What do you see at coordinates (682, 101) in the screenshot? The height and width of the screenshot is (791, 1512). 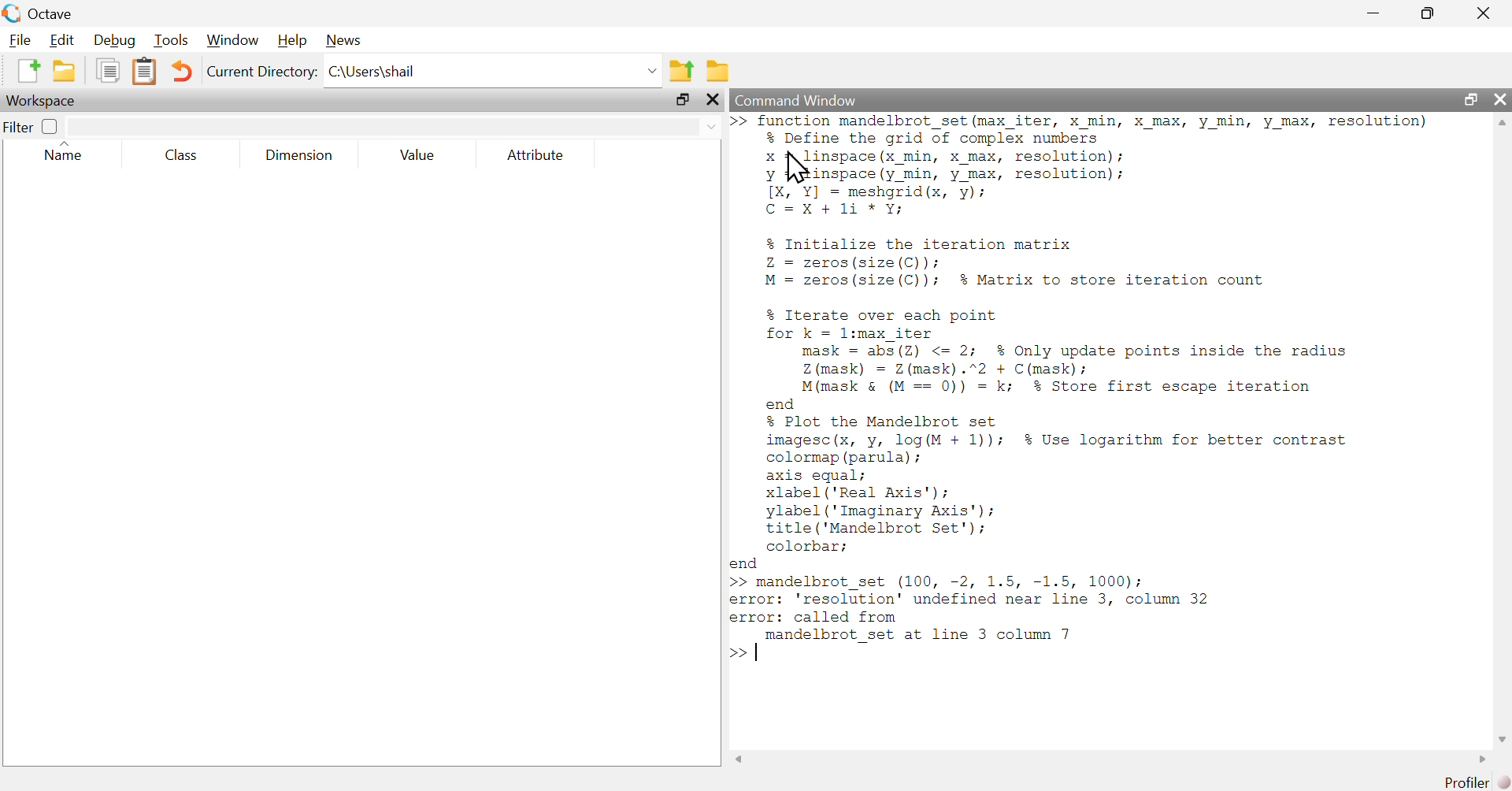 I see `maximize` at bounding box center [682, 101].